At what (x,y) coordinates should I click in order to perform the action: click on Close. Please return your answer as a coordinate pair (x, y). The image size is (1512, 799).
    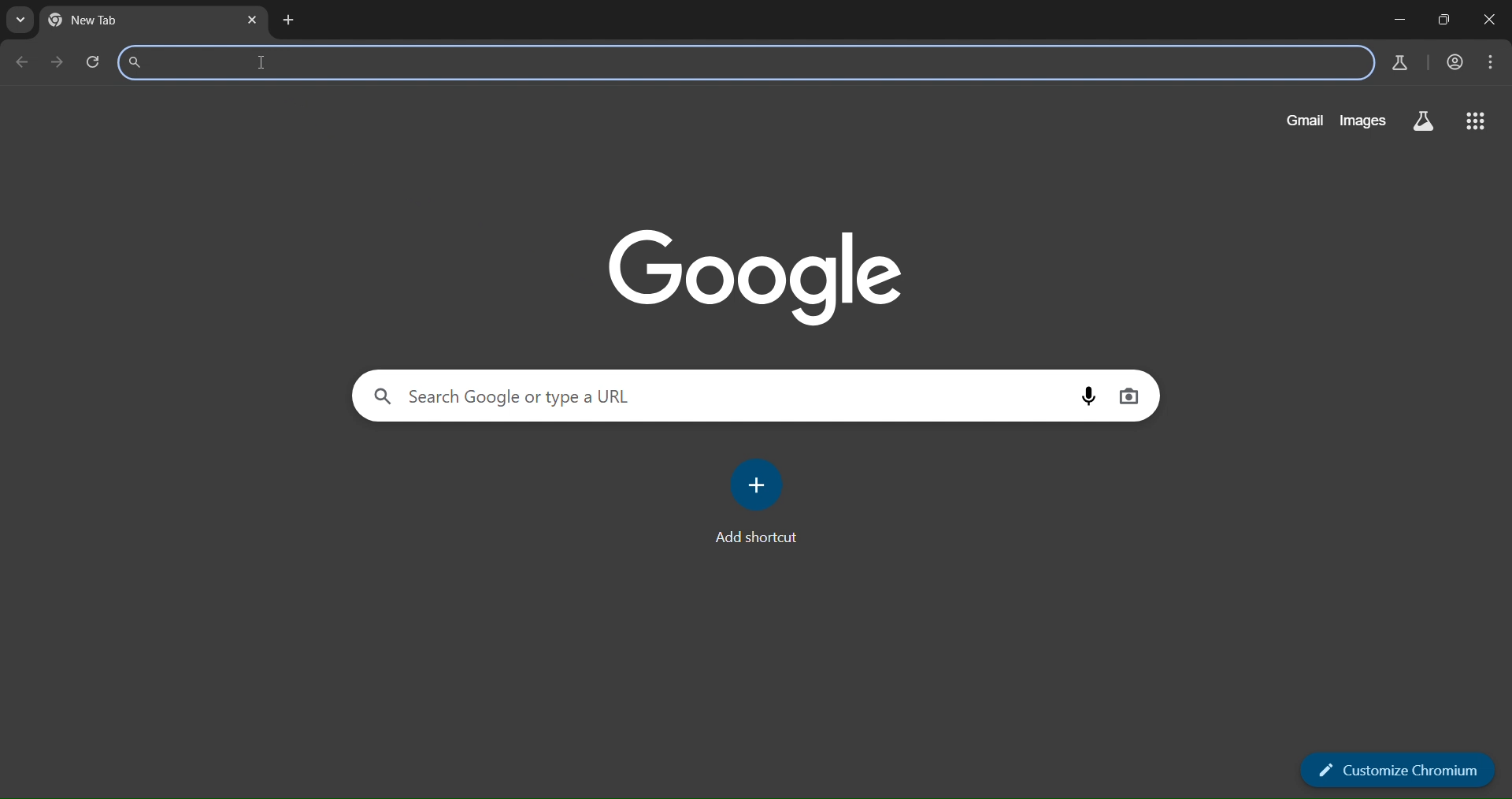
    Looking at the image, I should click on (1492, 18).